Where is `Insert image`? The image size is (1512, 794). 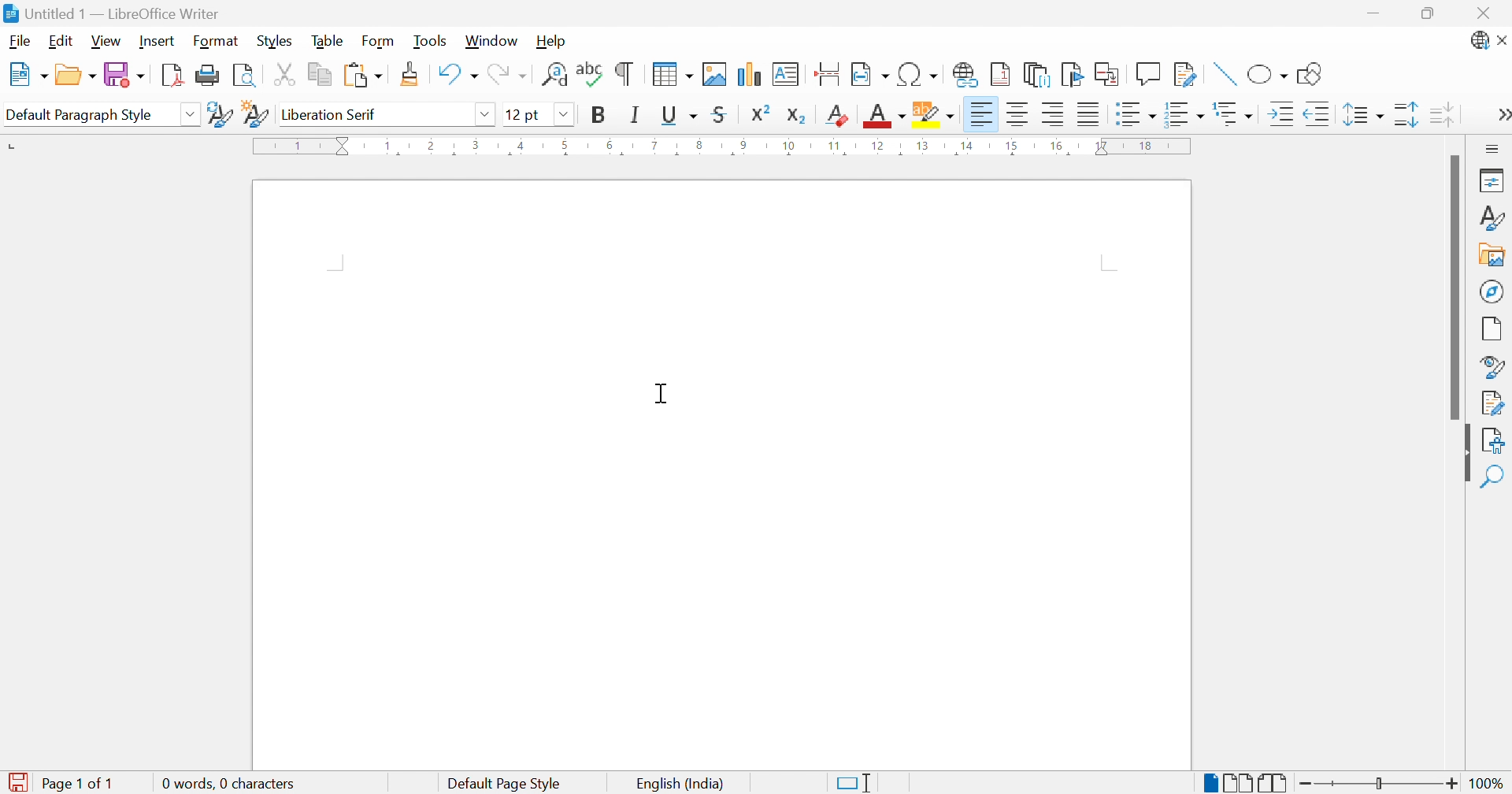 Insert image is located at coordinates (716, 74).